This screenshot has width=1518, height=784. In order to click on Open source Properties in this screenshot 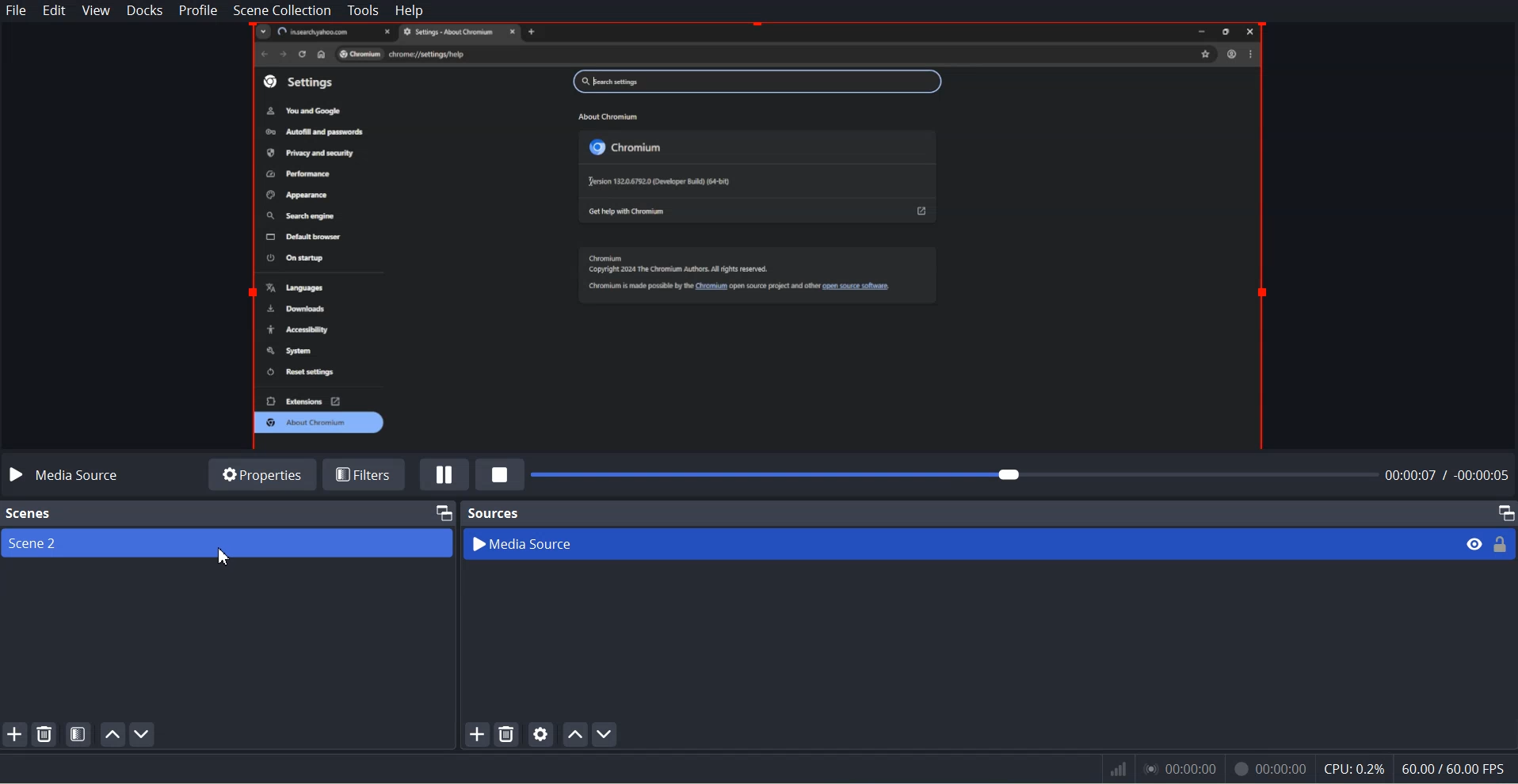, I will do `click(541, 733)`.